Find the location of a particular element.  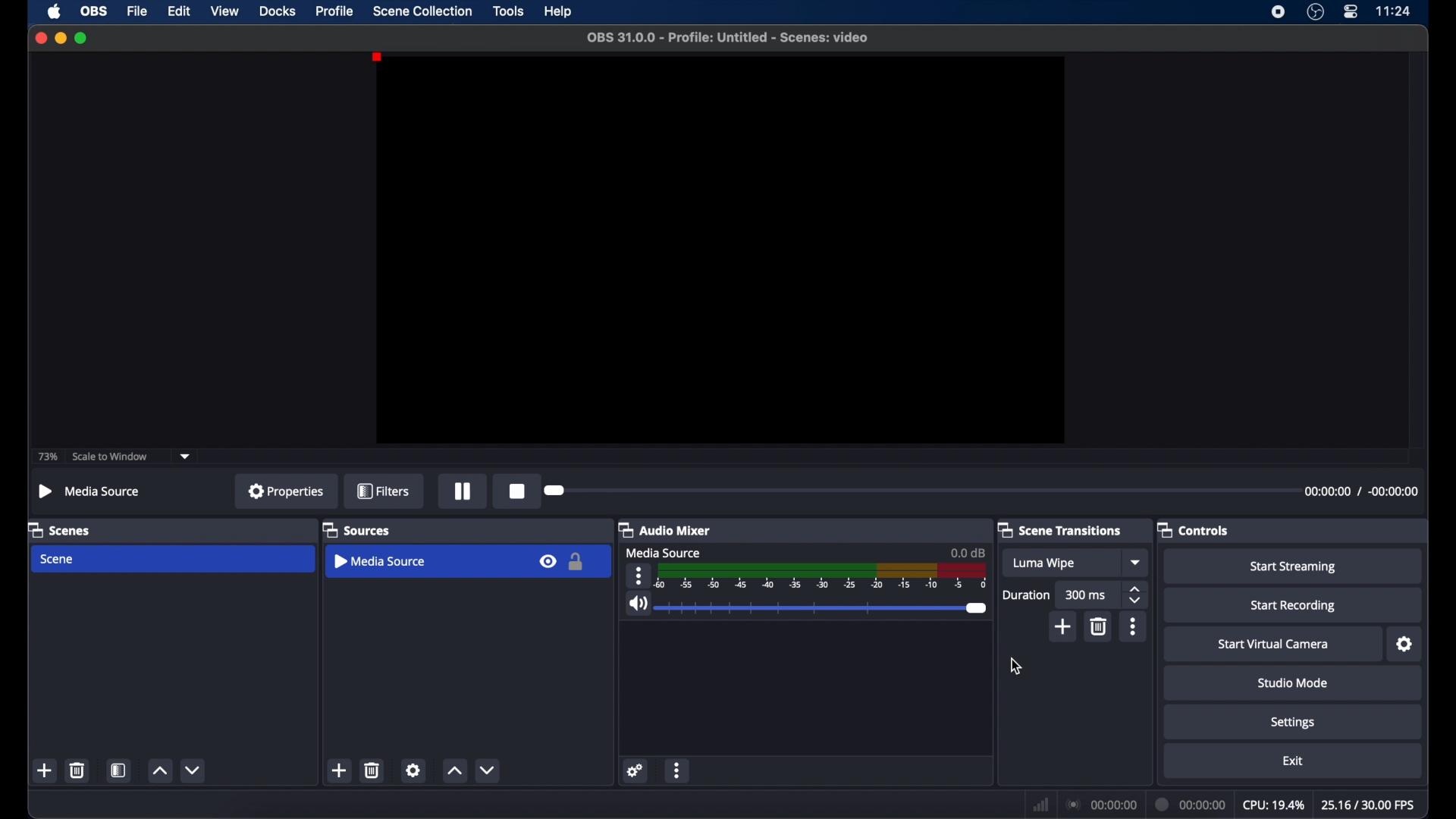

stepper buttons is located at coordinates (1136, 595).